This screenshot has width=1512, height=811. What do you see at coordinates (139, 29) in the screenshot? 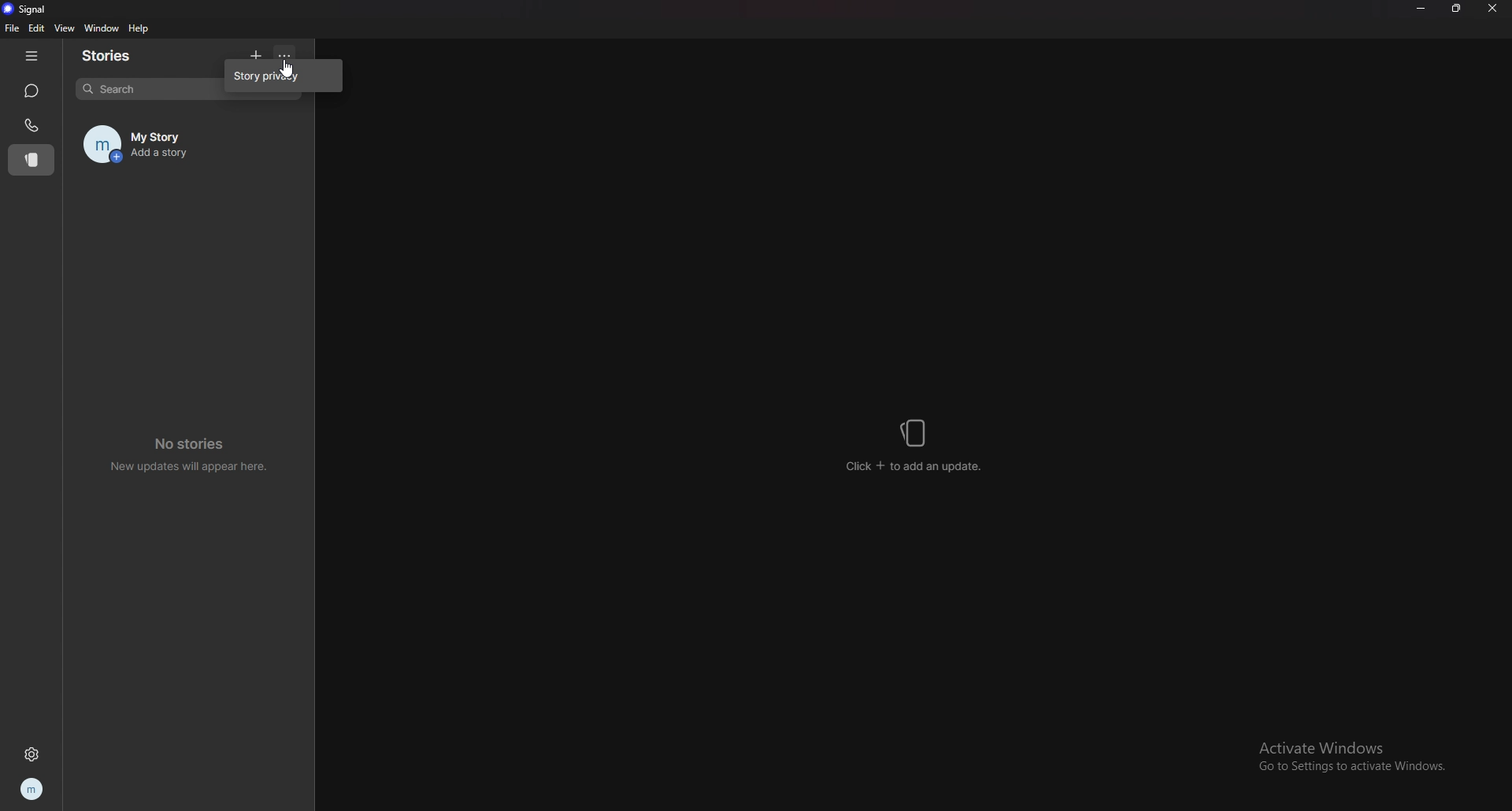
I see `help` at bounding box center [139, 29].